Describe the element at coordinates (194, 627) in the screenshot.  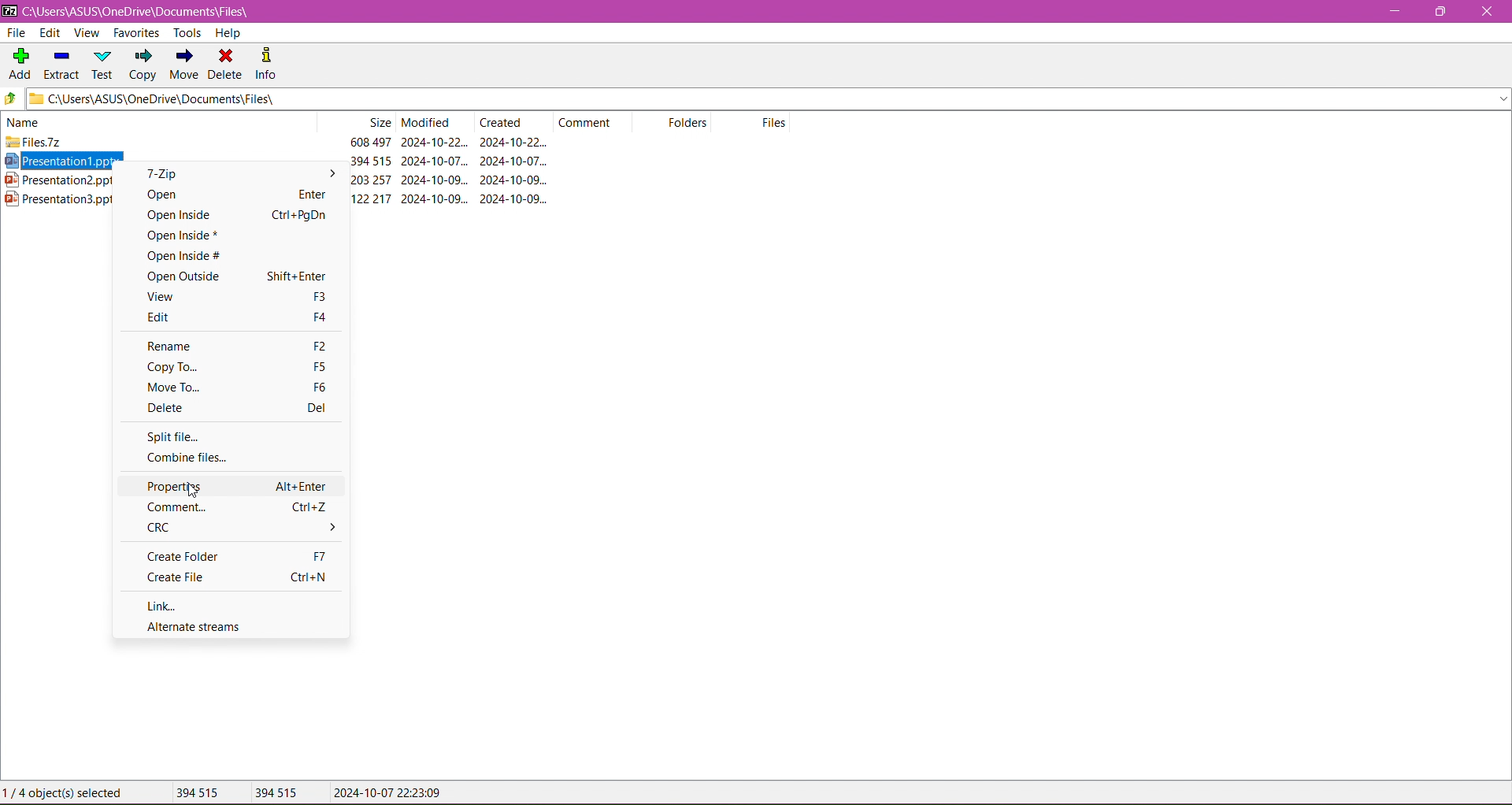
I see `Alternate streams` at that location.